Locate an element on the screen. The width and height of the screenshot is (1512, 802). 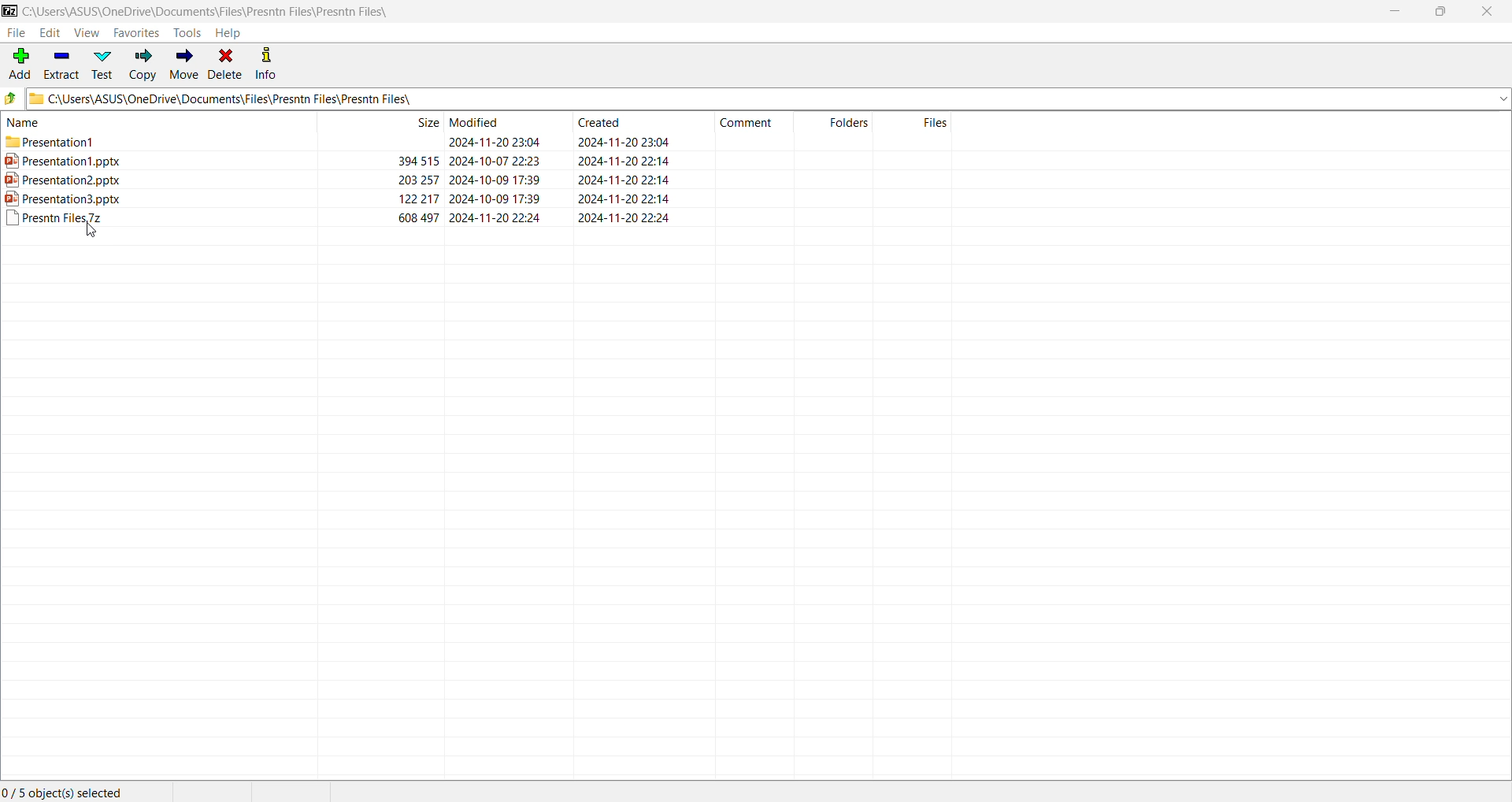
 Presntn Files 7z is located at coordinates (61, 221).